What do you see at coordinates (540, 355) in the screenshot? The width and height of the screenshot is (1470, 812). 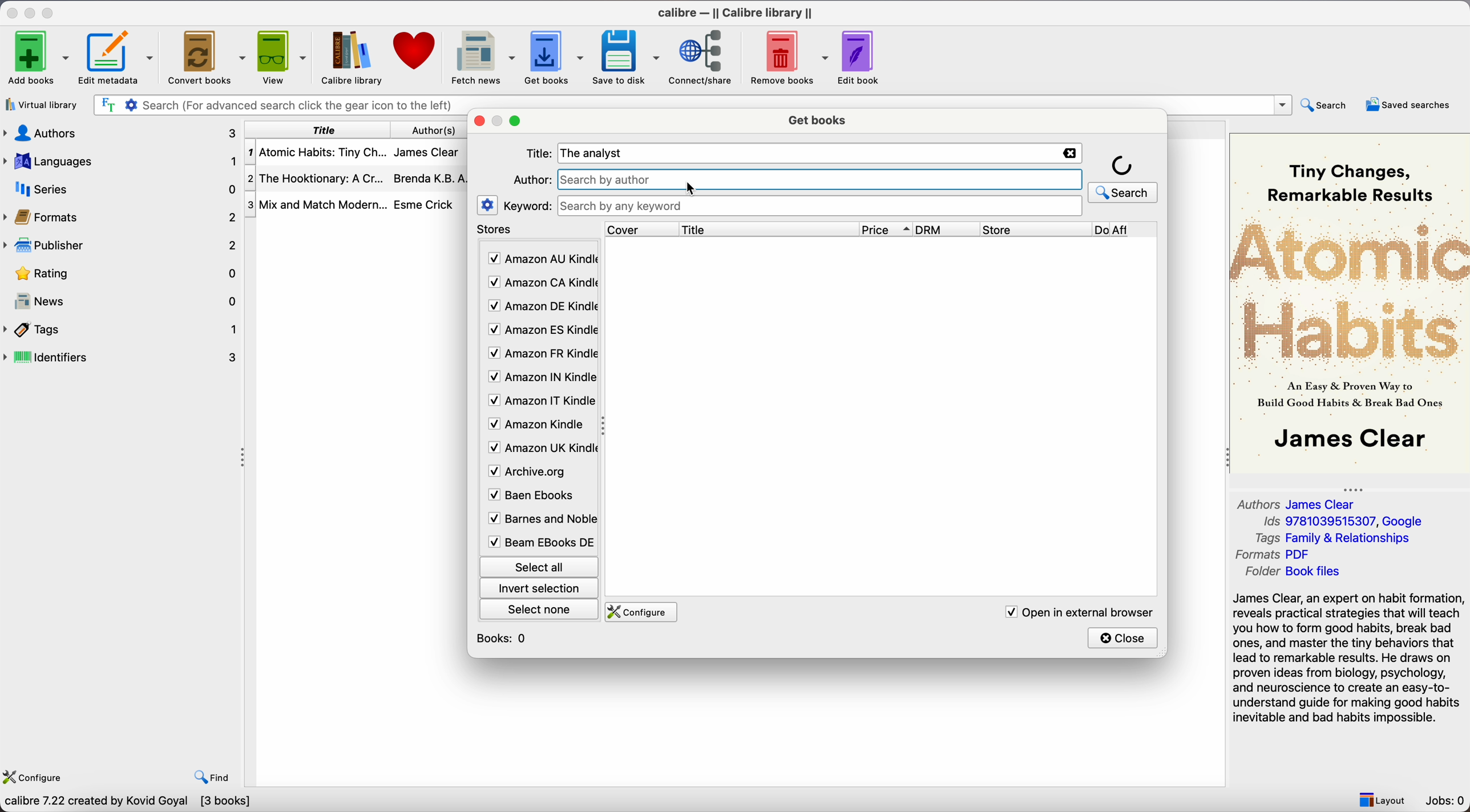 I see `Amazon FR Kindle` at bounding box center [540, 355].